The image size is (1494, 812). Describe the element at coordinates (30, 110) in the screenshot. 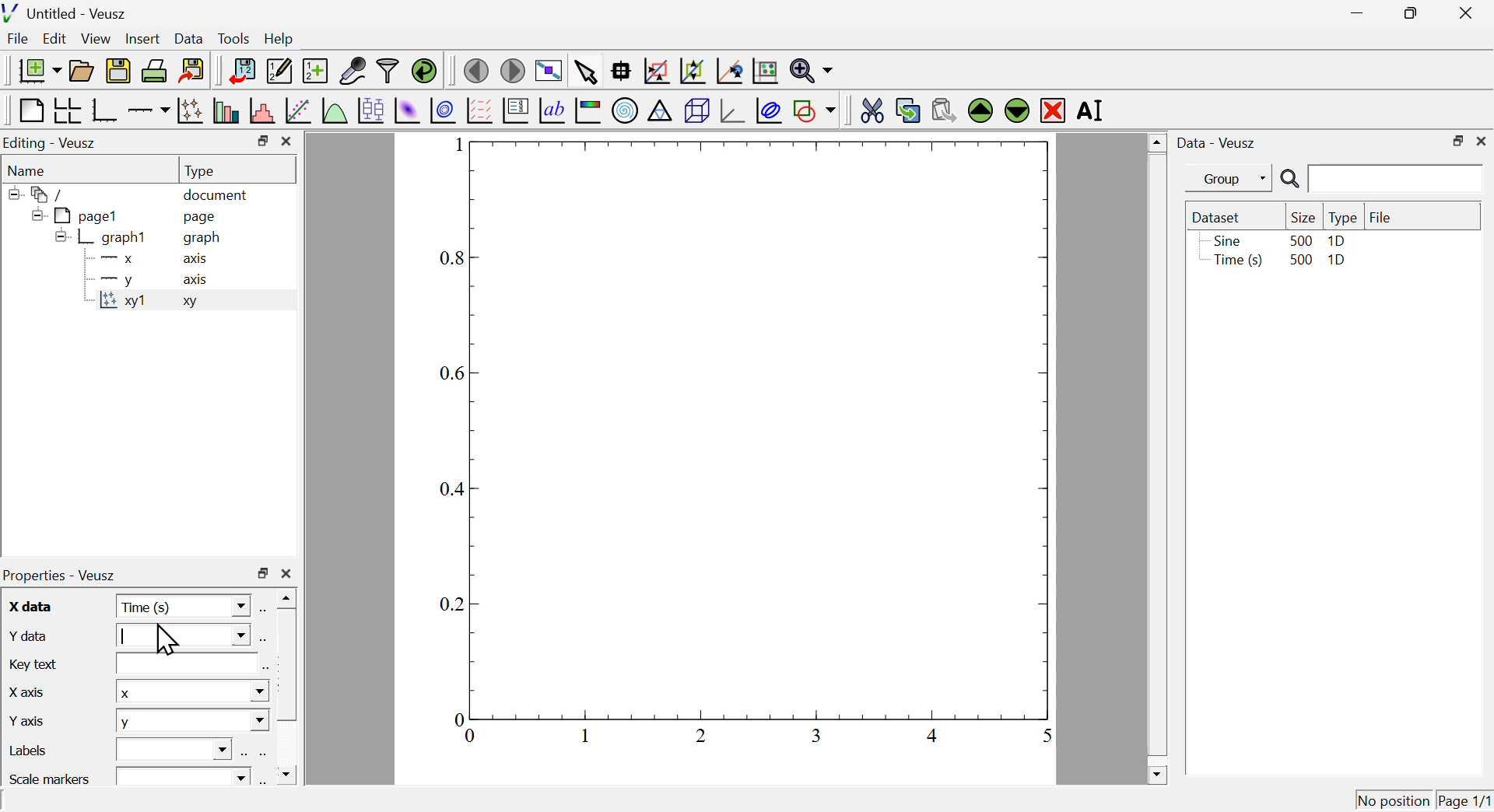

I see `blank page` at that location.